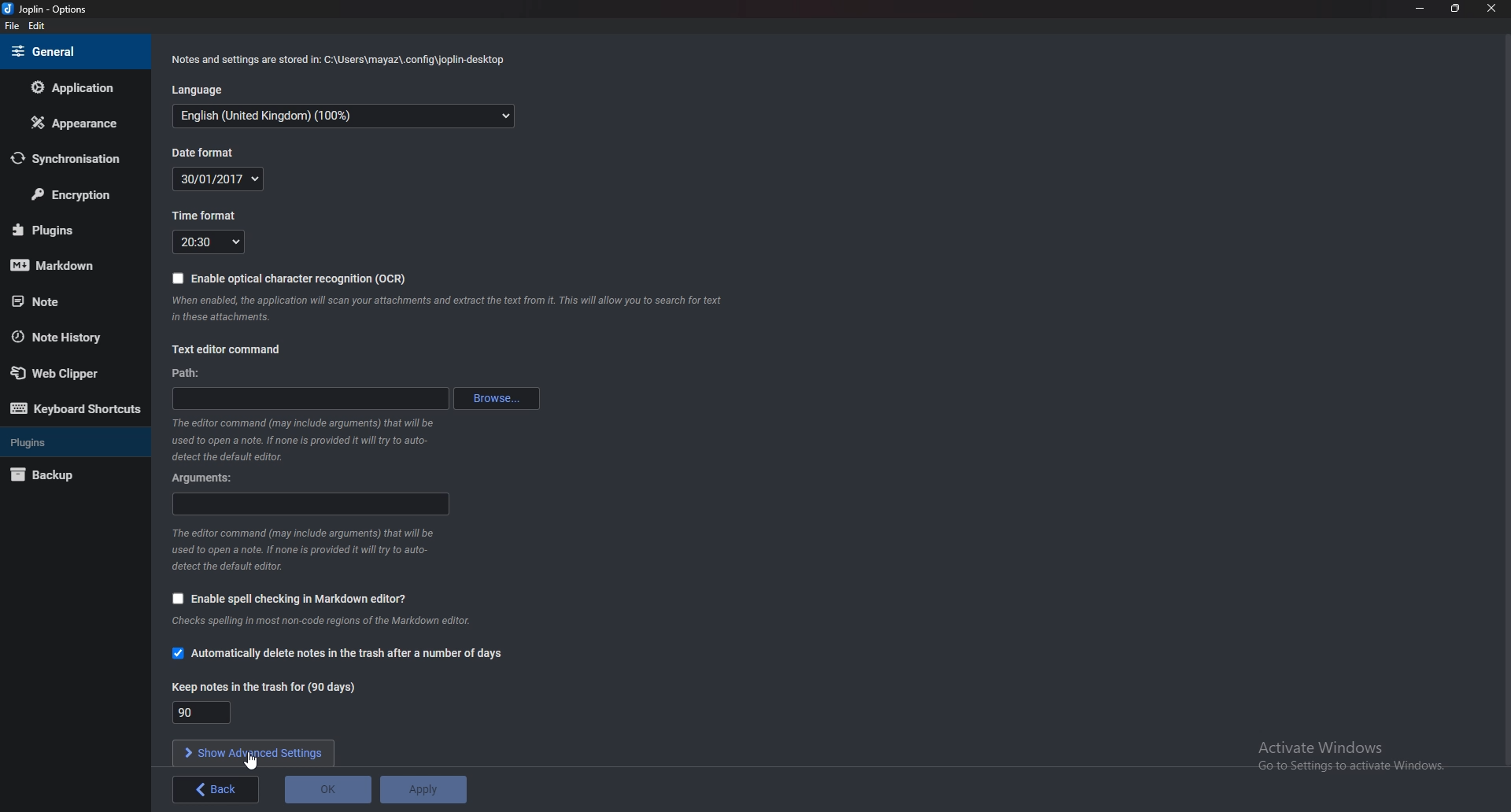  I want to click on back, so click(218, 789).